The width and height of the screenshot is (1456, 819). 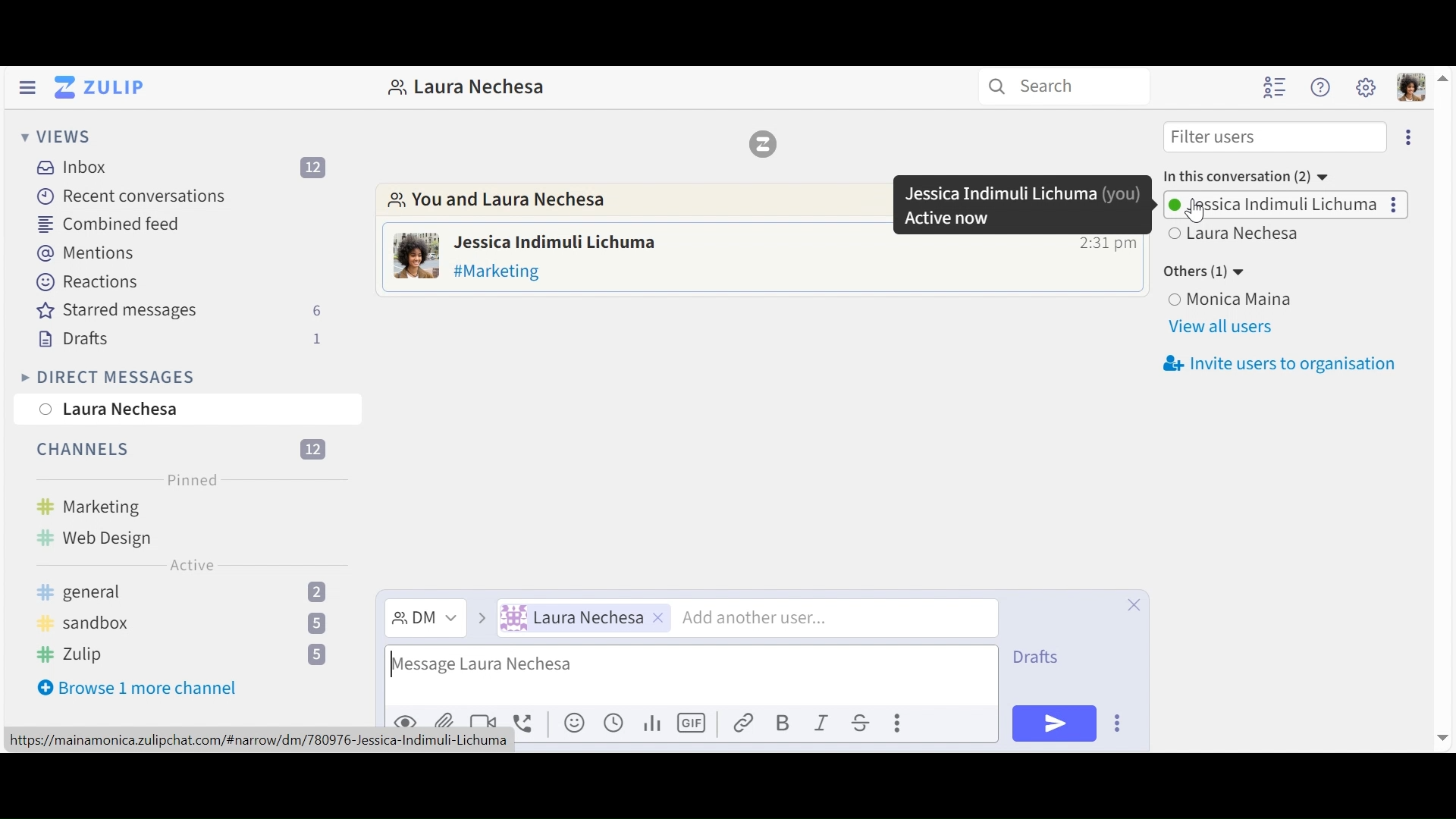 I want to click on Hide left Sidebar, so click(x=29, y=87).